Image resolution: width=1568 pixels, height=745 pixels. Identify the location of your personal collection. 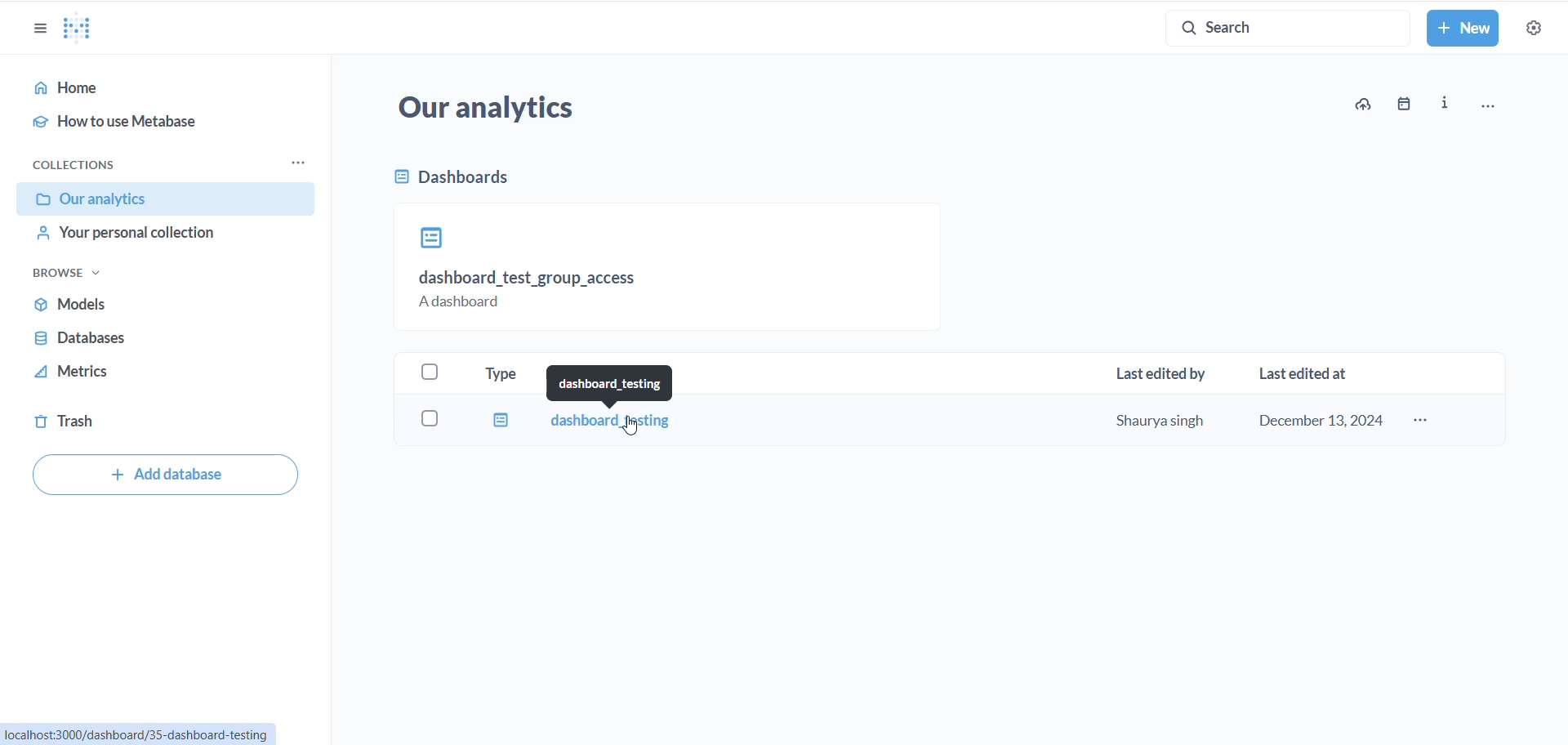
(169, 238).